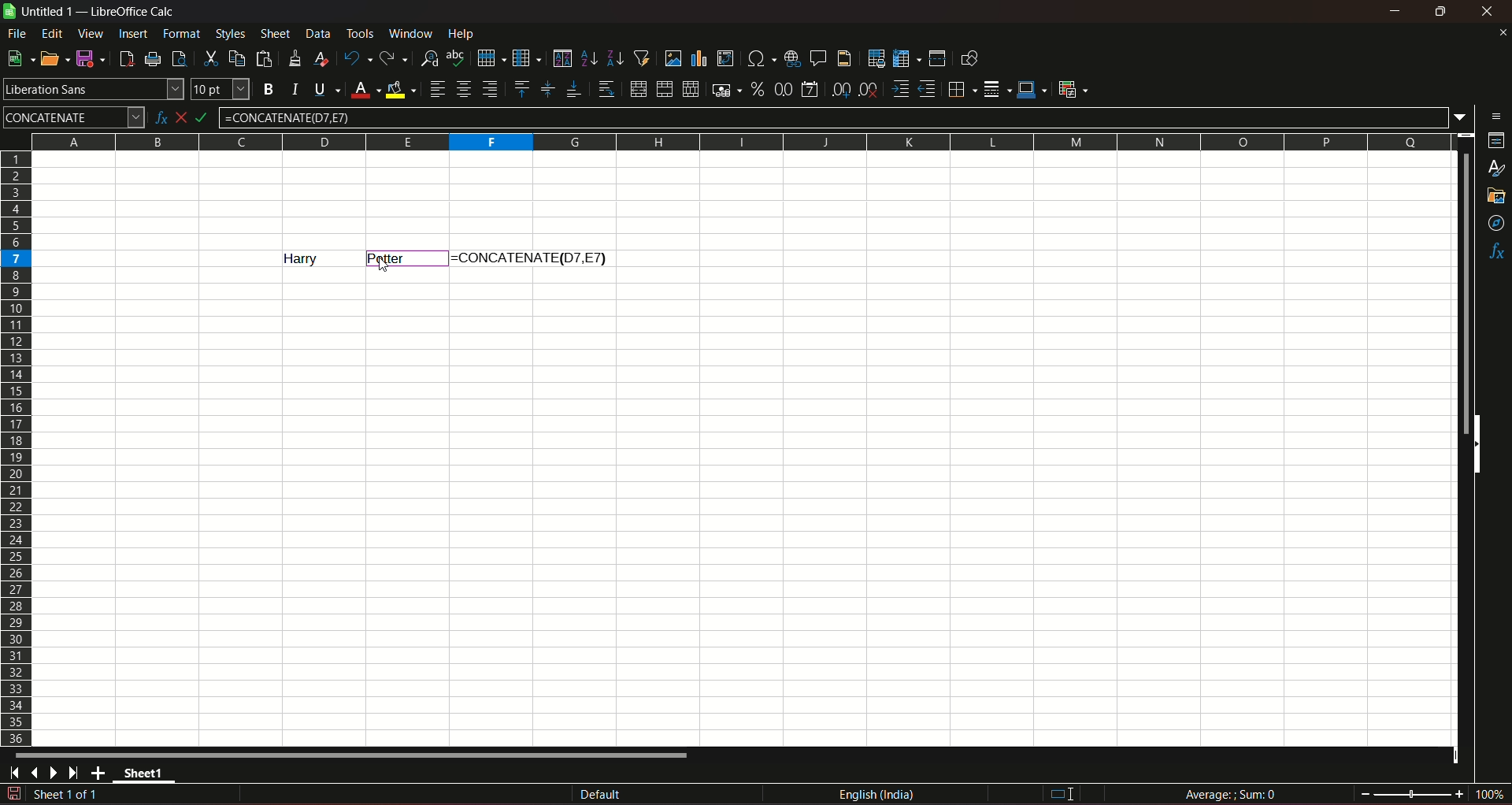 The height and width of the screenshot is (805, 1512). I want to click on merge, so click(664, 90).